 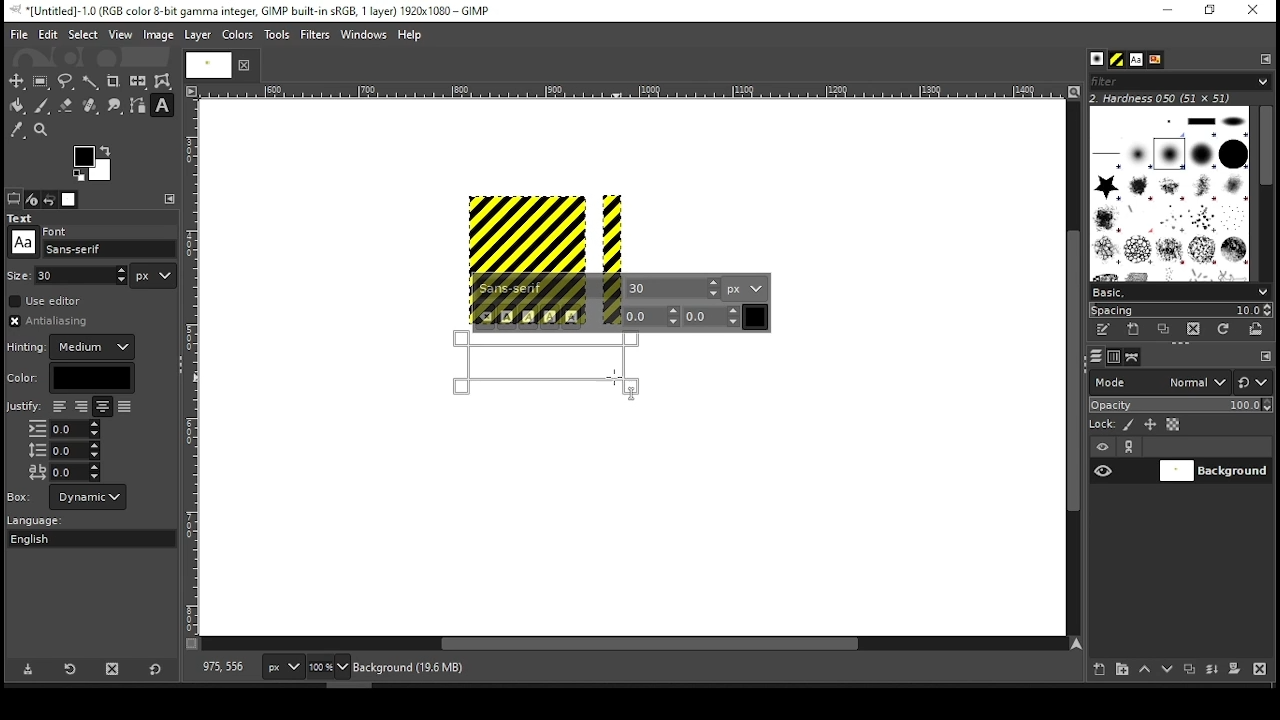 What do you see at coordinates (156, 670) in the screenshot?
I see `reset to defaults` at bounding box center [156, 670].